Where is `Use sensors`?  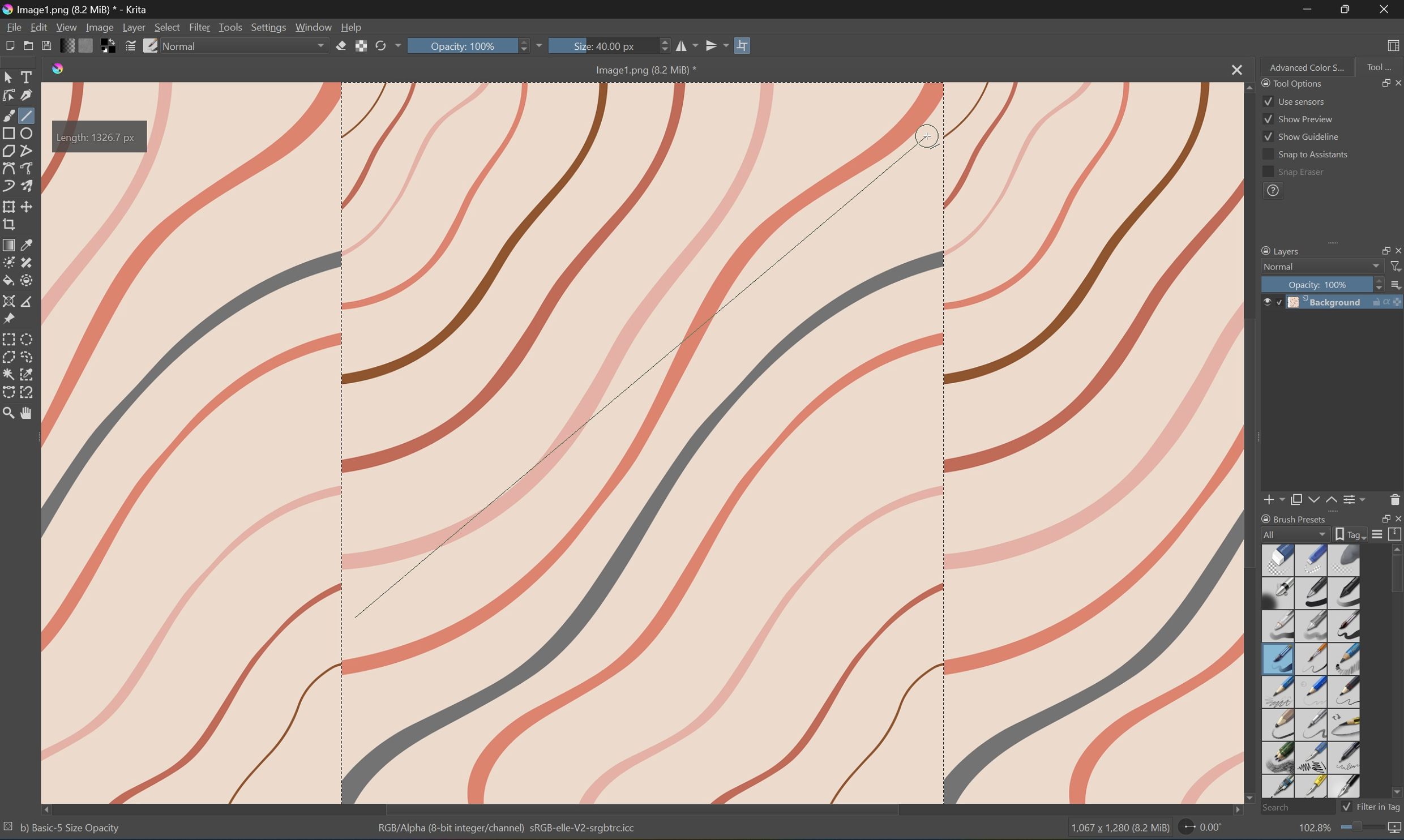
Use sensors is located at coordinates (1294, 101).